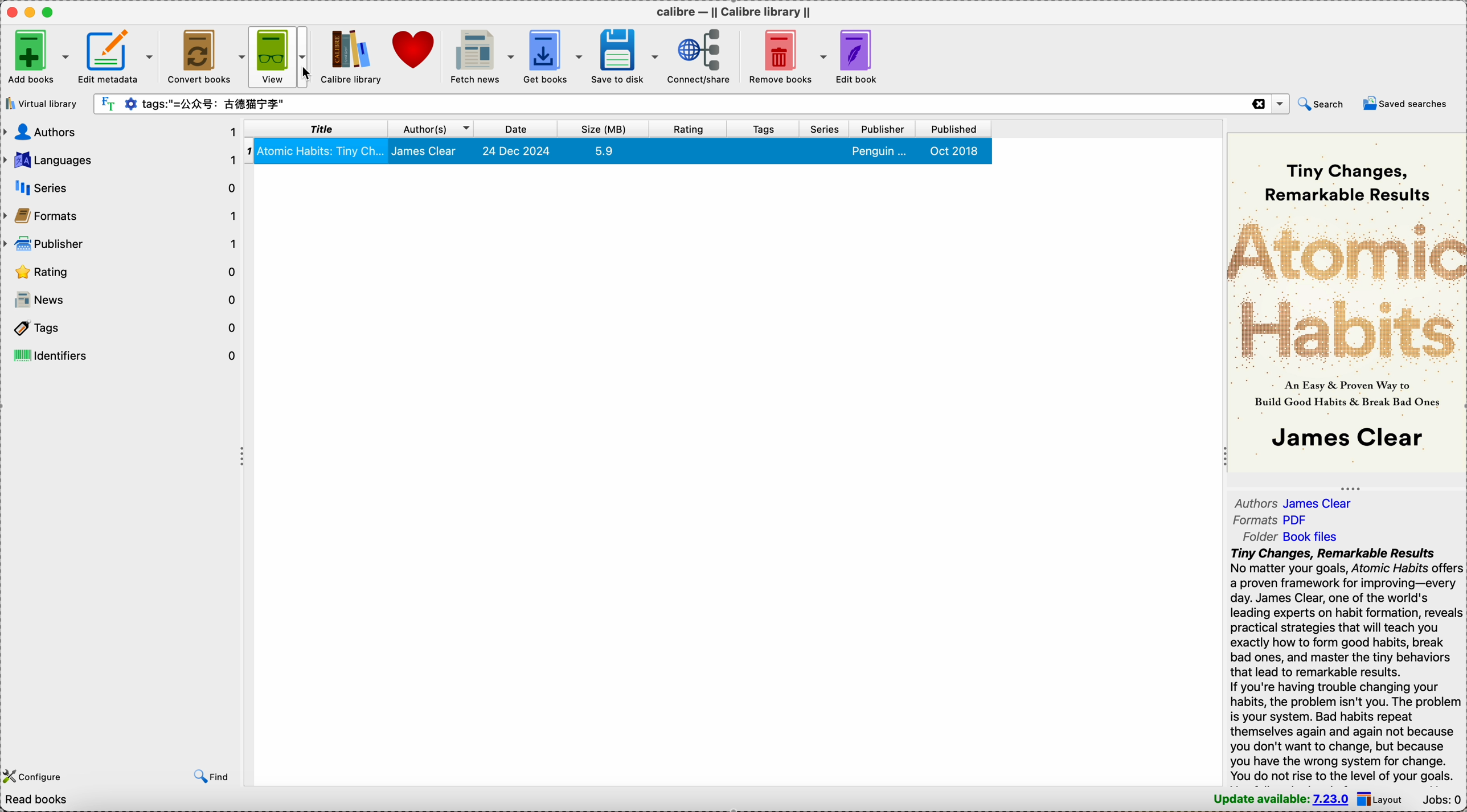  I want to click on donate, so click(415, 50).